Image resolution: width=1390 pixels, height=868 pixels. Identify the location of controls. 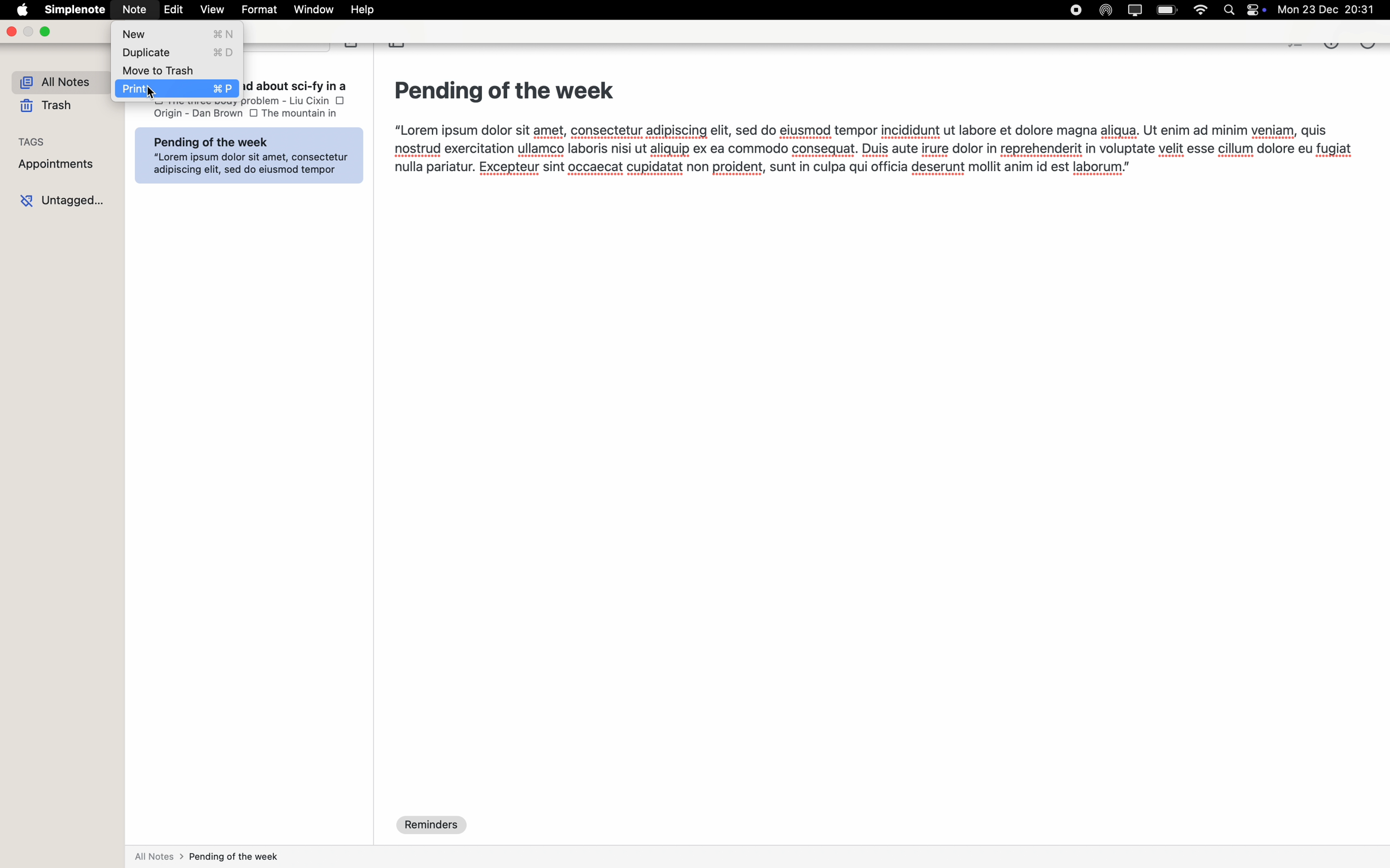
(1256, 9).